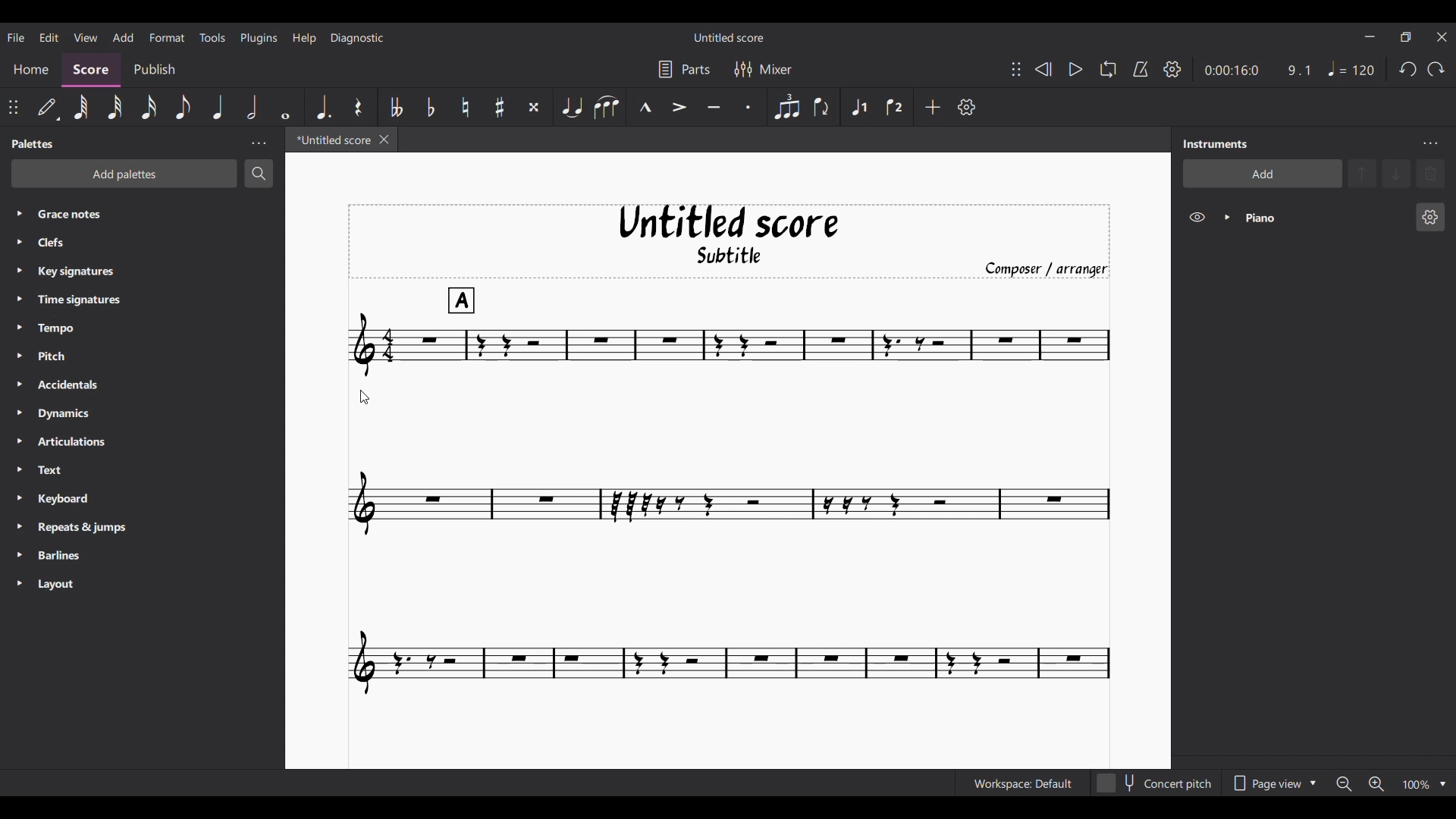 The image size is (1456, 819). What do you see at coordinates (285, 107) in the screenshot?
I see `Whole note` at bounding box center [285, 107].